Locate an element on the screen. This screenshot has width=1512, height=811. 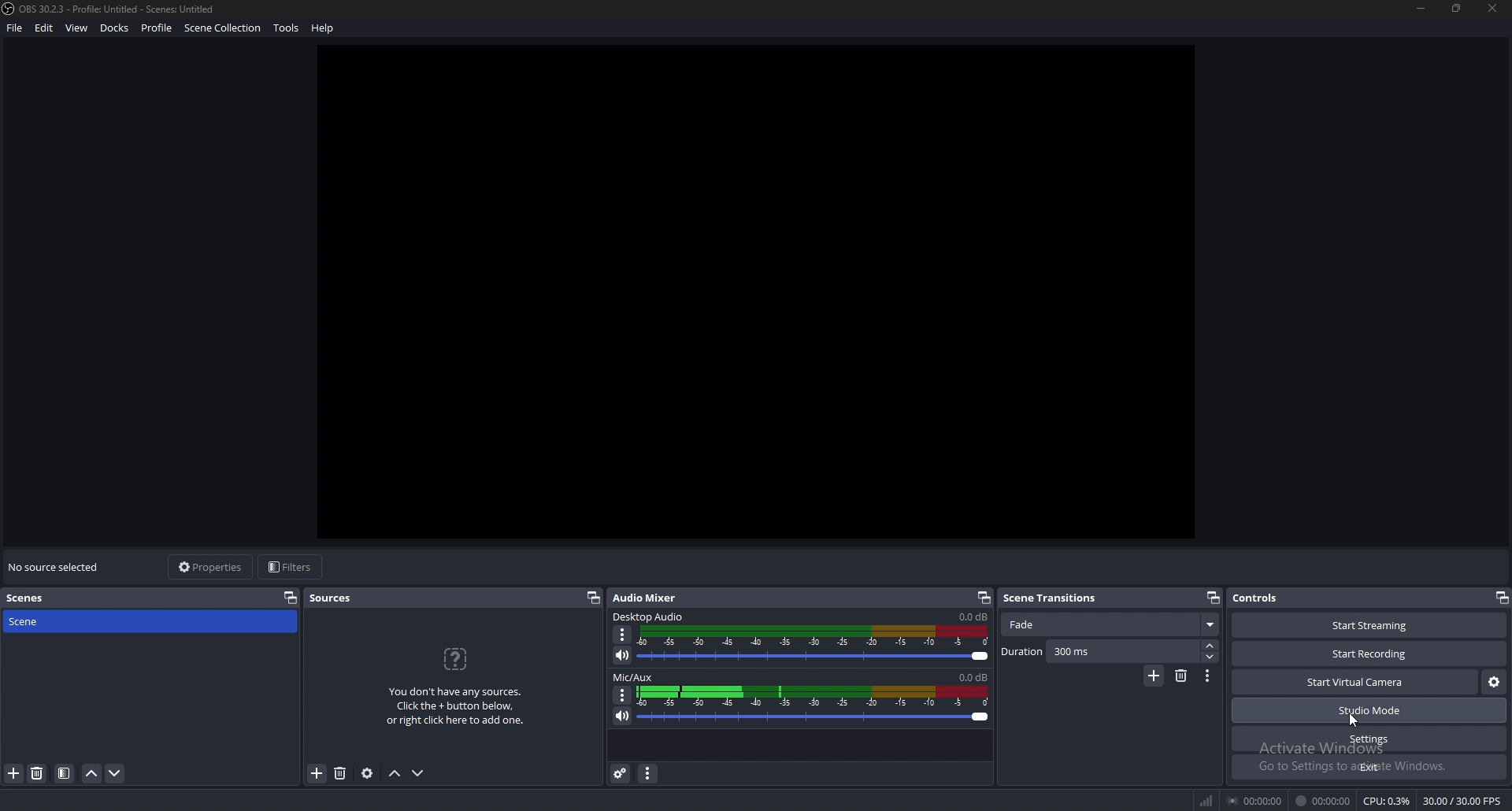
scene is located at coordinates (69, 621).